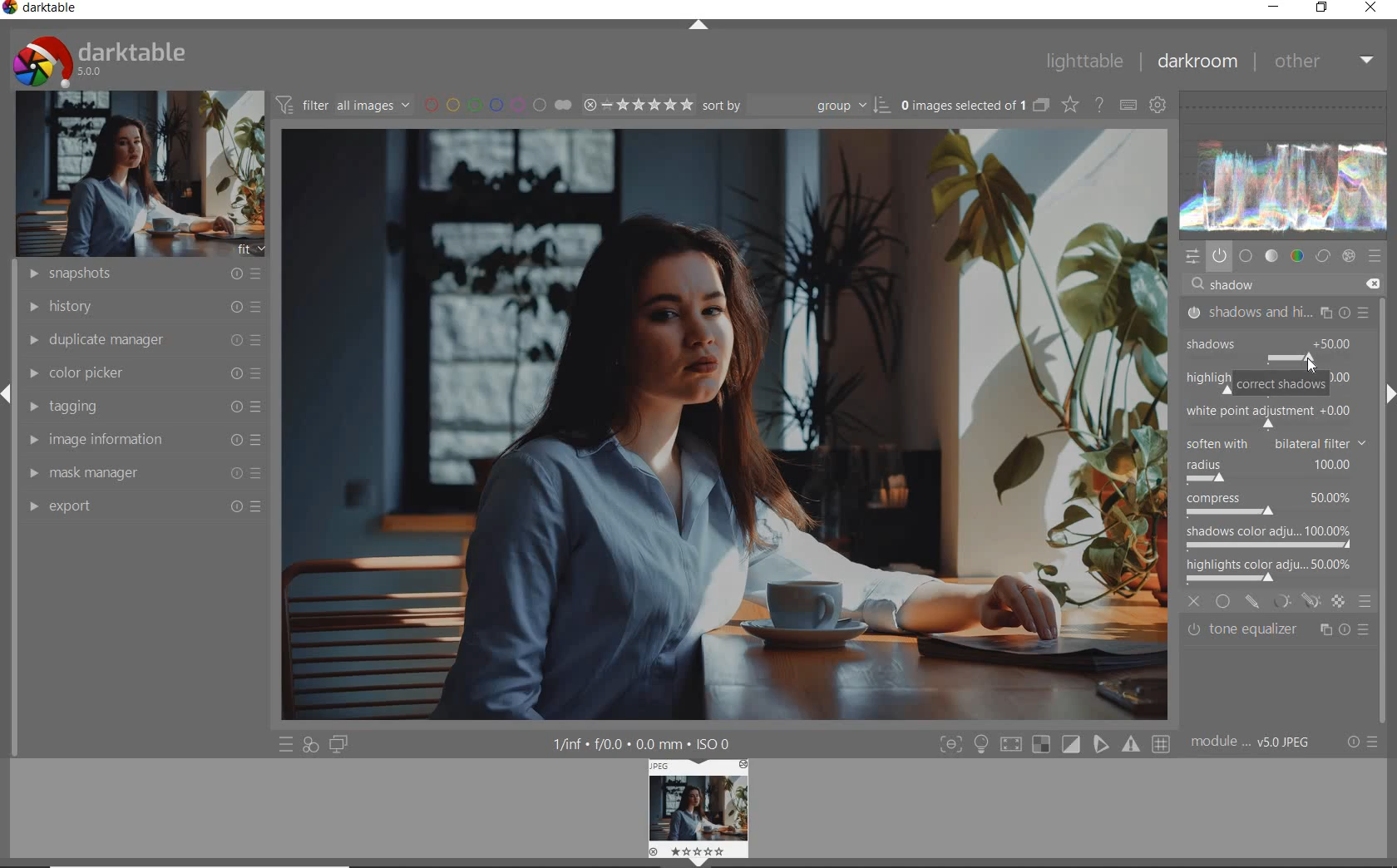 This screenshot has height=868, width=1397. I want to click on shadow, so click(1239, 285).